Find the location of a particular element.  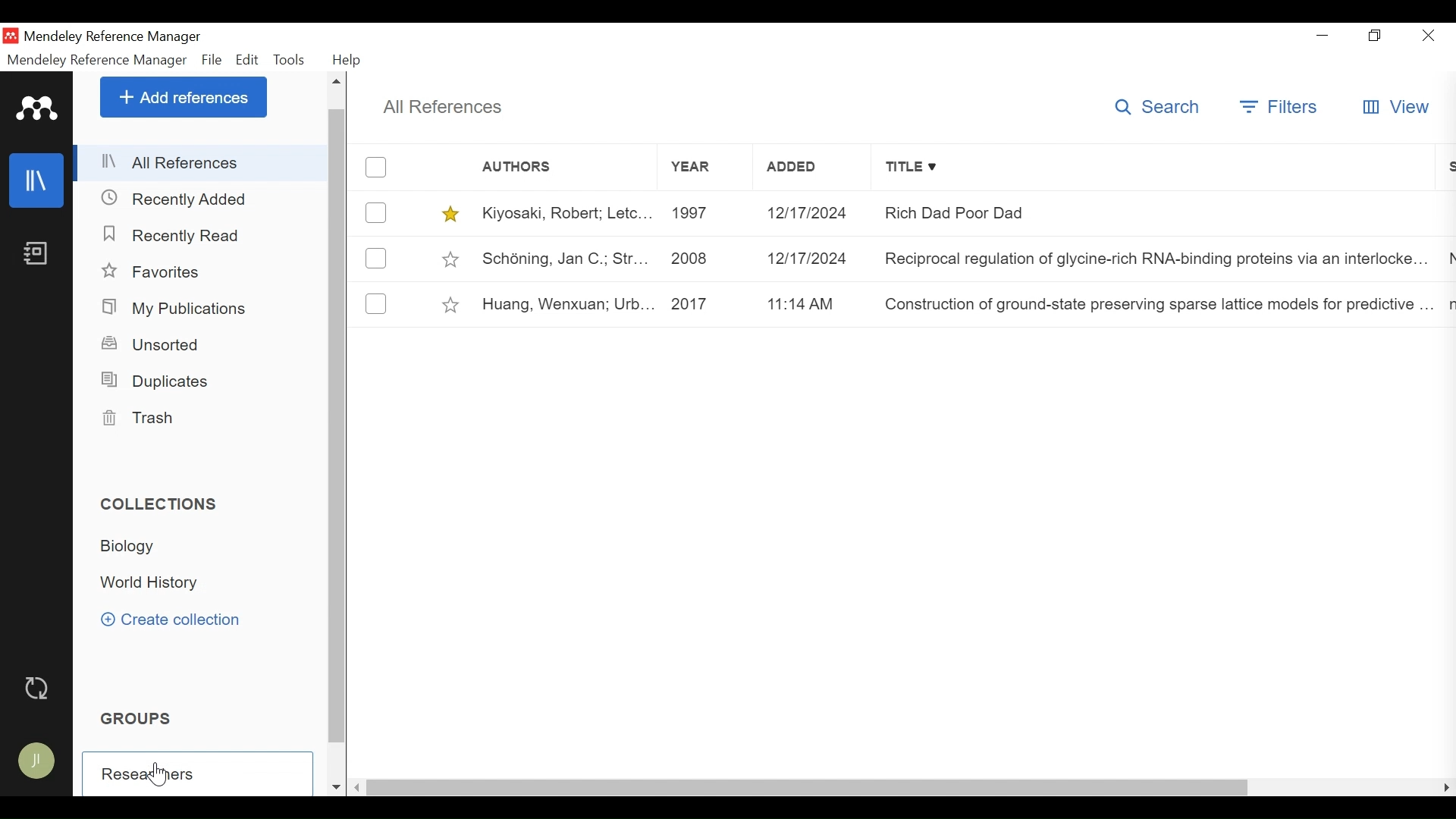

Avatar is located at coordinates (38, 762).